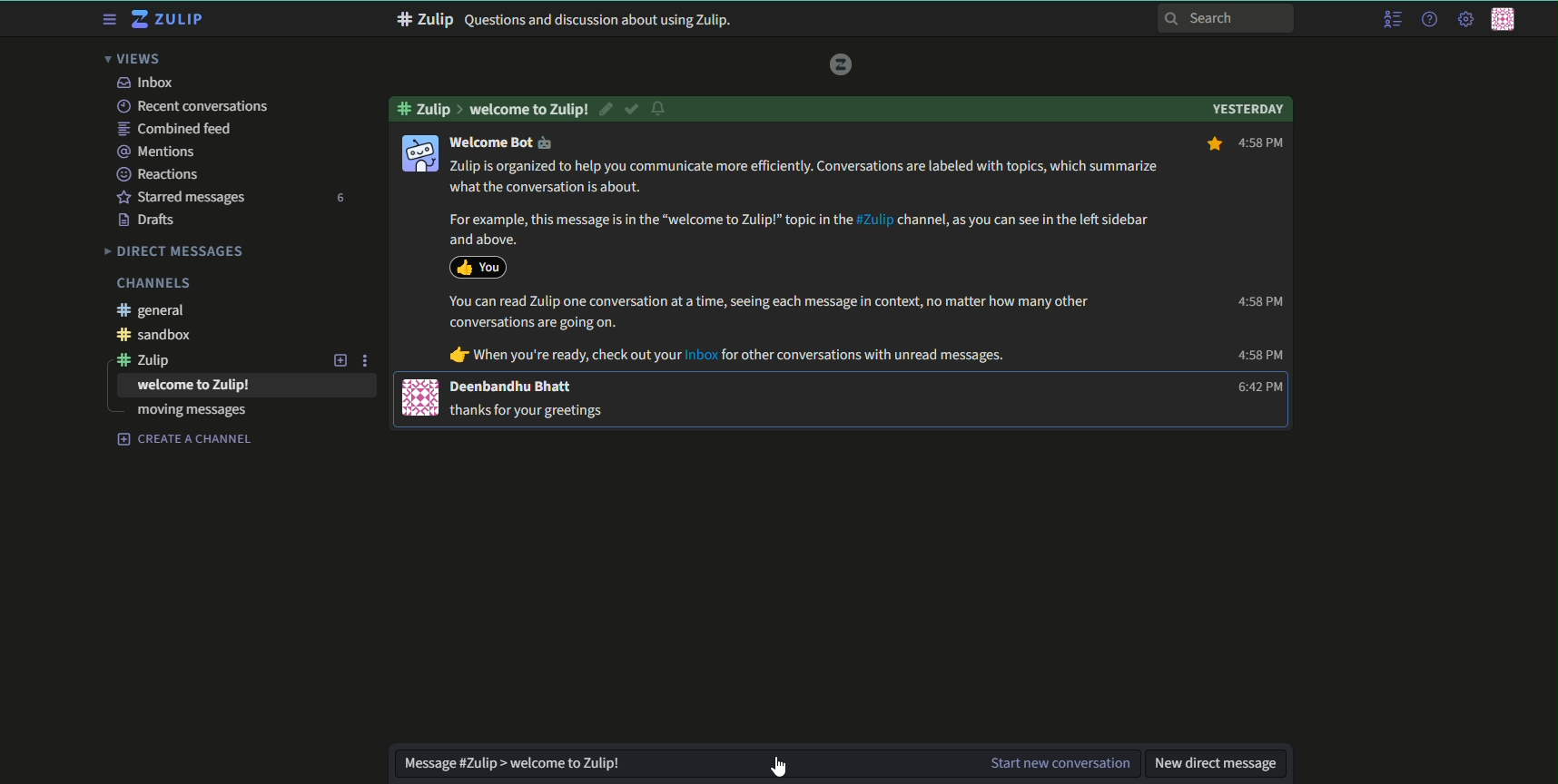  I want to click on mentions, so click(159, 151).